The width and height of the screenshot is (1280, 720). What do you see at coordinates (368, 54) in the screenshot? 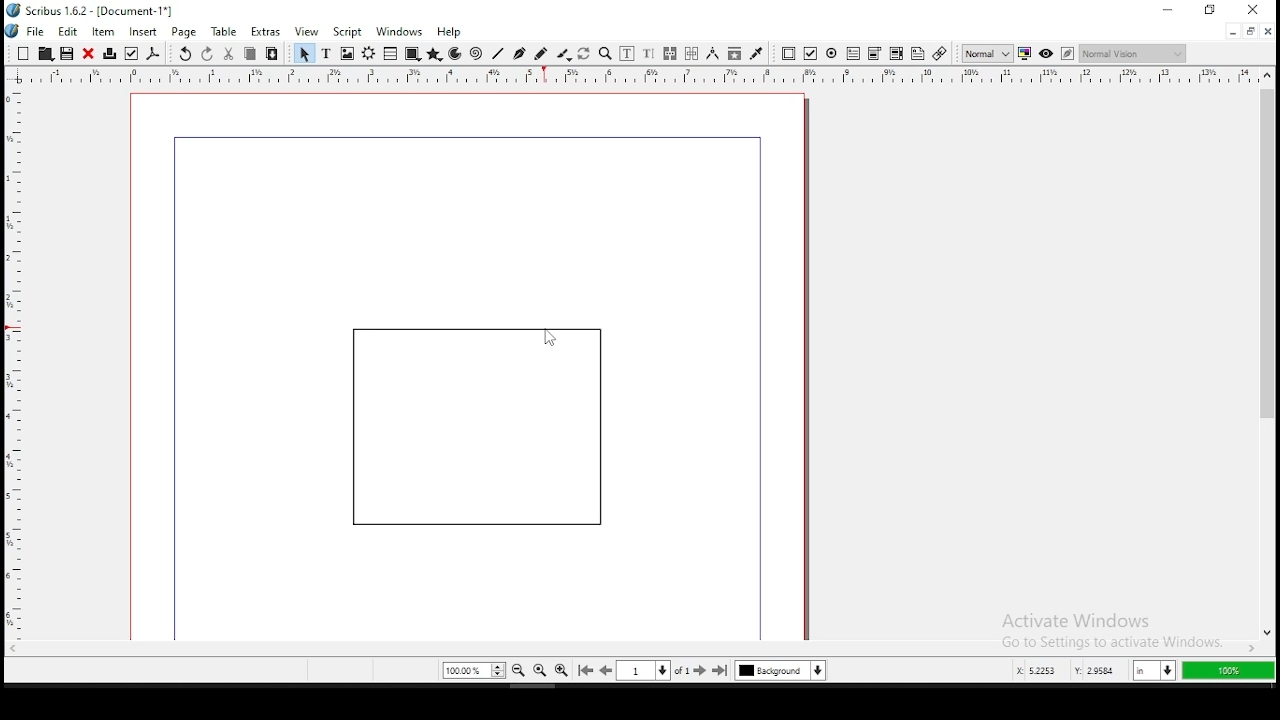
I see `render frame` at bounding box center [368, 54].